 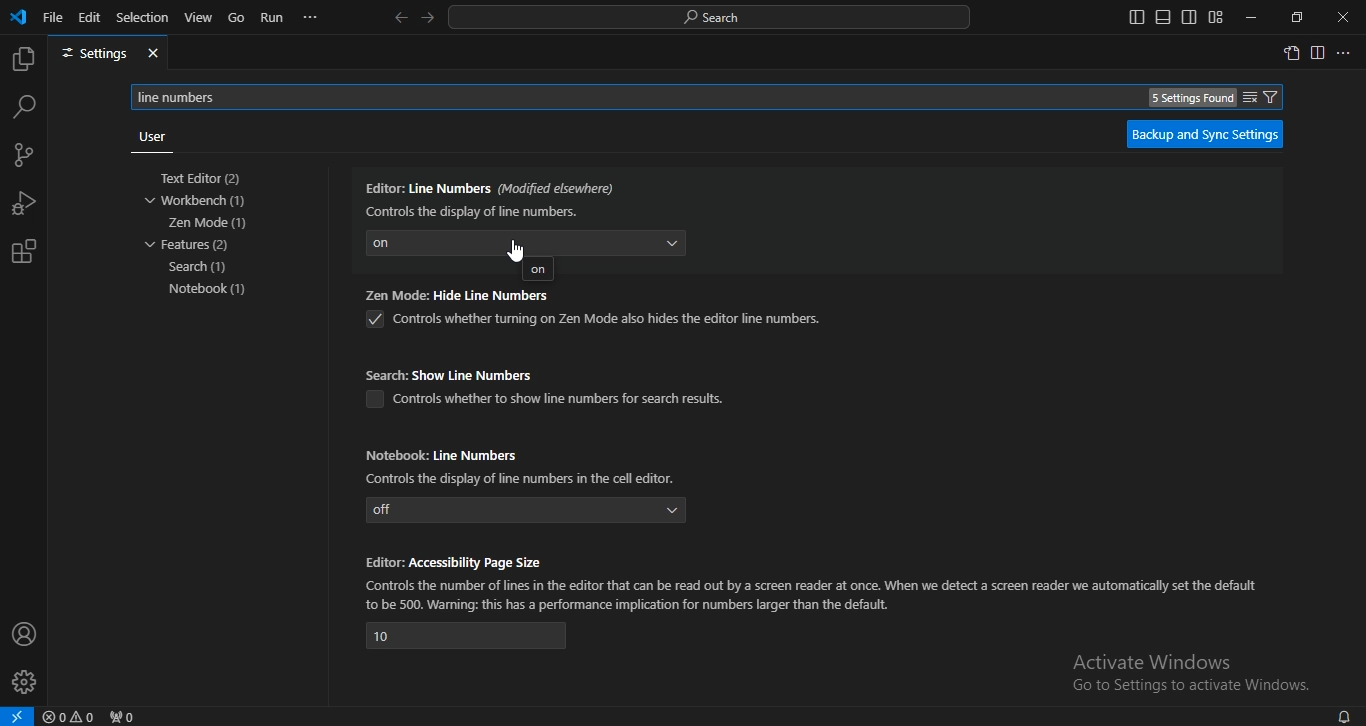 What do you see at coordinates (1162, 17) in the screenshot?
I see `toggle panel` at bounding box center [1162, 17].